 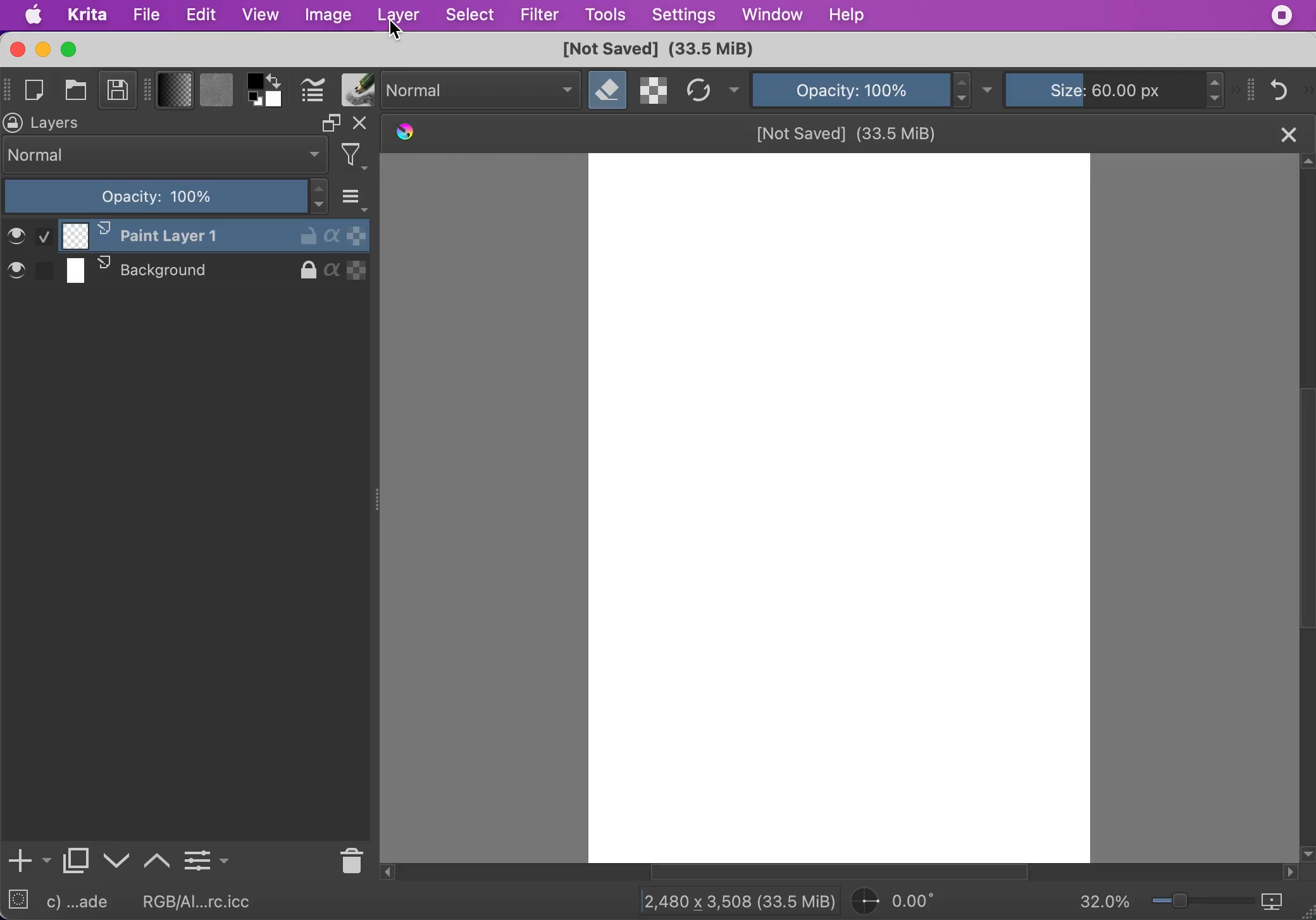 What do you see at coordinates (35, 16) in the screenshot?
I see `mac logo` at bounding box center [35, 16].